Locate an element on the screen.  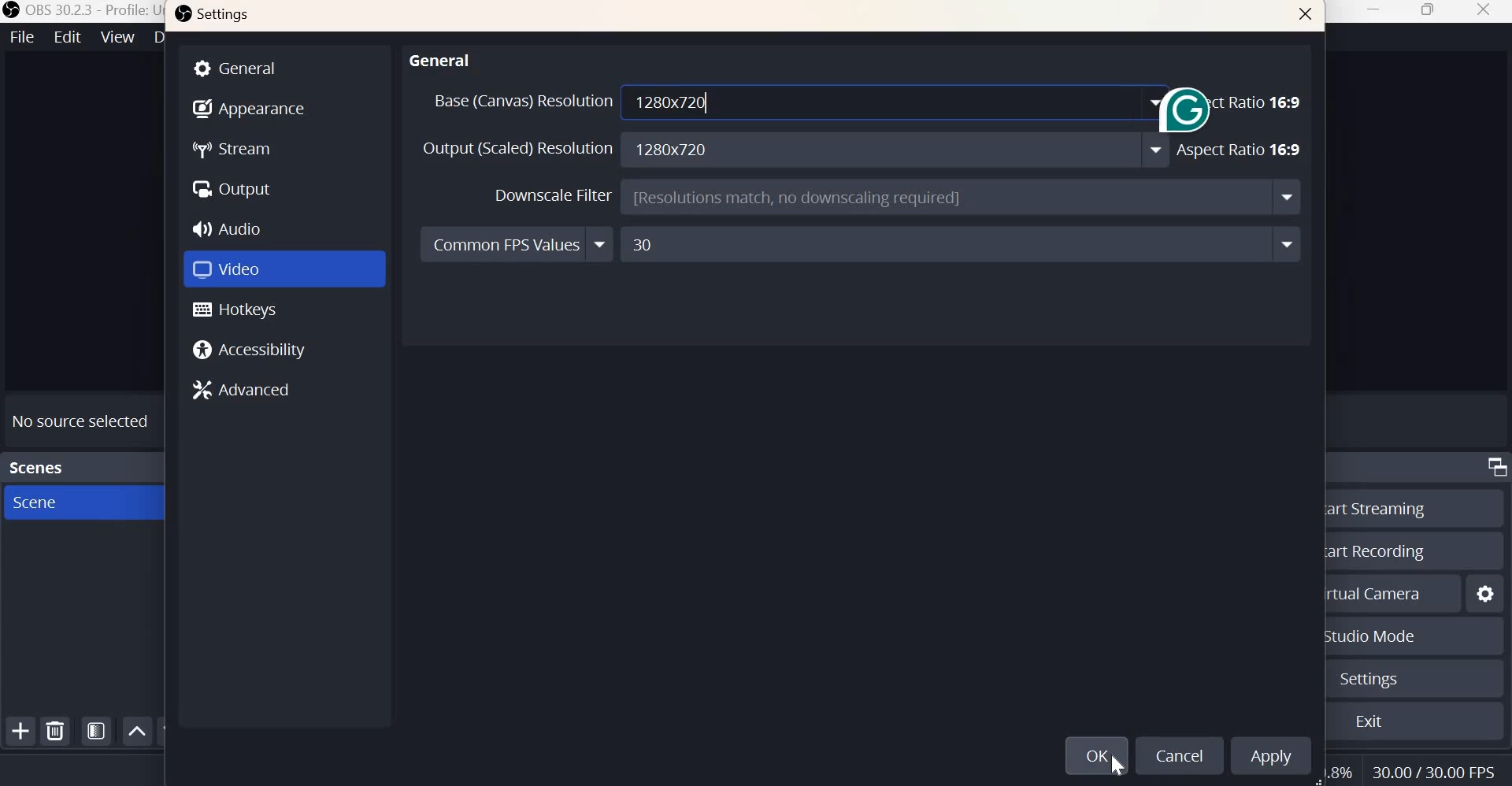
General is located at coordinates (441, 57).